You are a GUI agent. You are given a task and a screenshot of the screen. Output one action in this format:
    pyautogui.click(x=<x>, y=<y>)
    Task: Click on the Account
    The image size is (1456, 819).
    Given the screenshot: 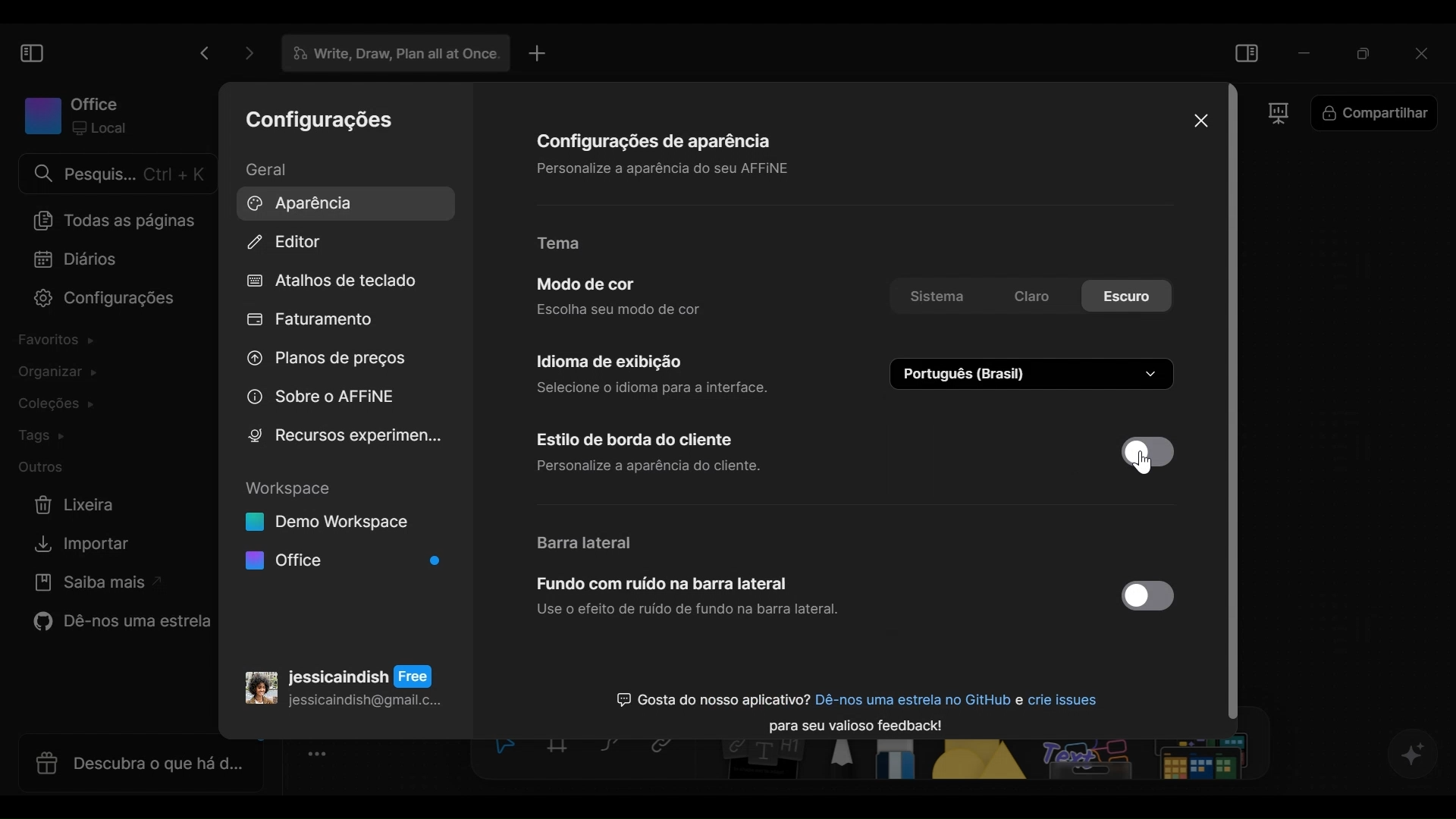 What is the action you would take?
    pyautogui.click(x=344, y=682)
    